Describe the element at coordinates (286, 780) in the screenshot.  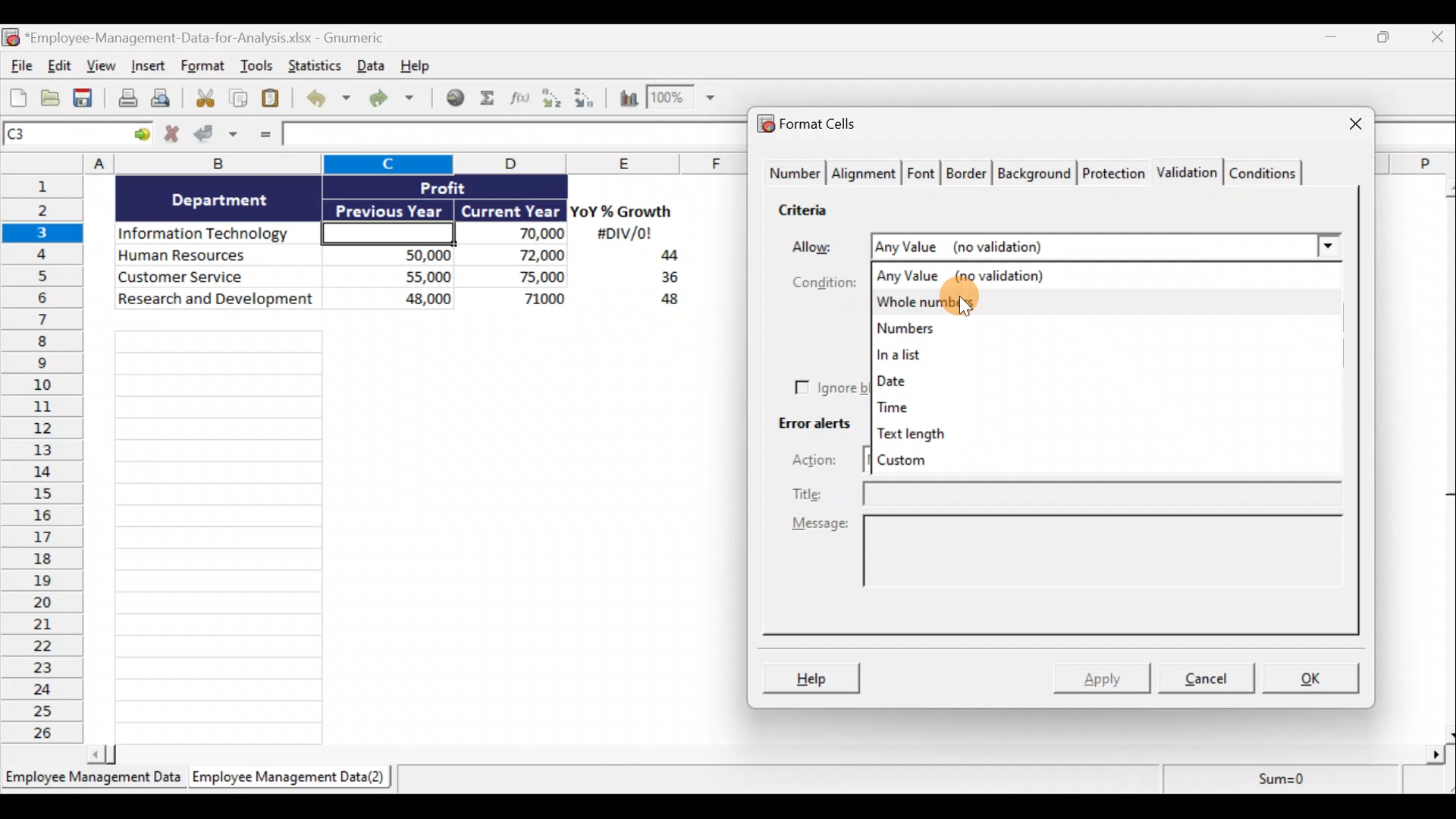
I see `Employee Management Data(2)` at that location.